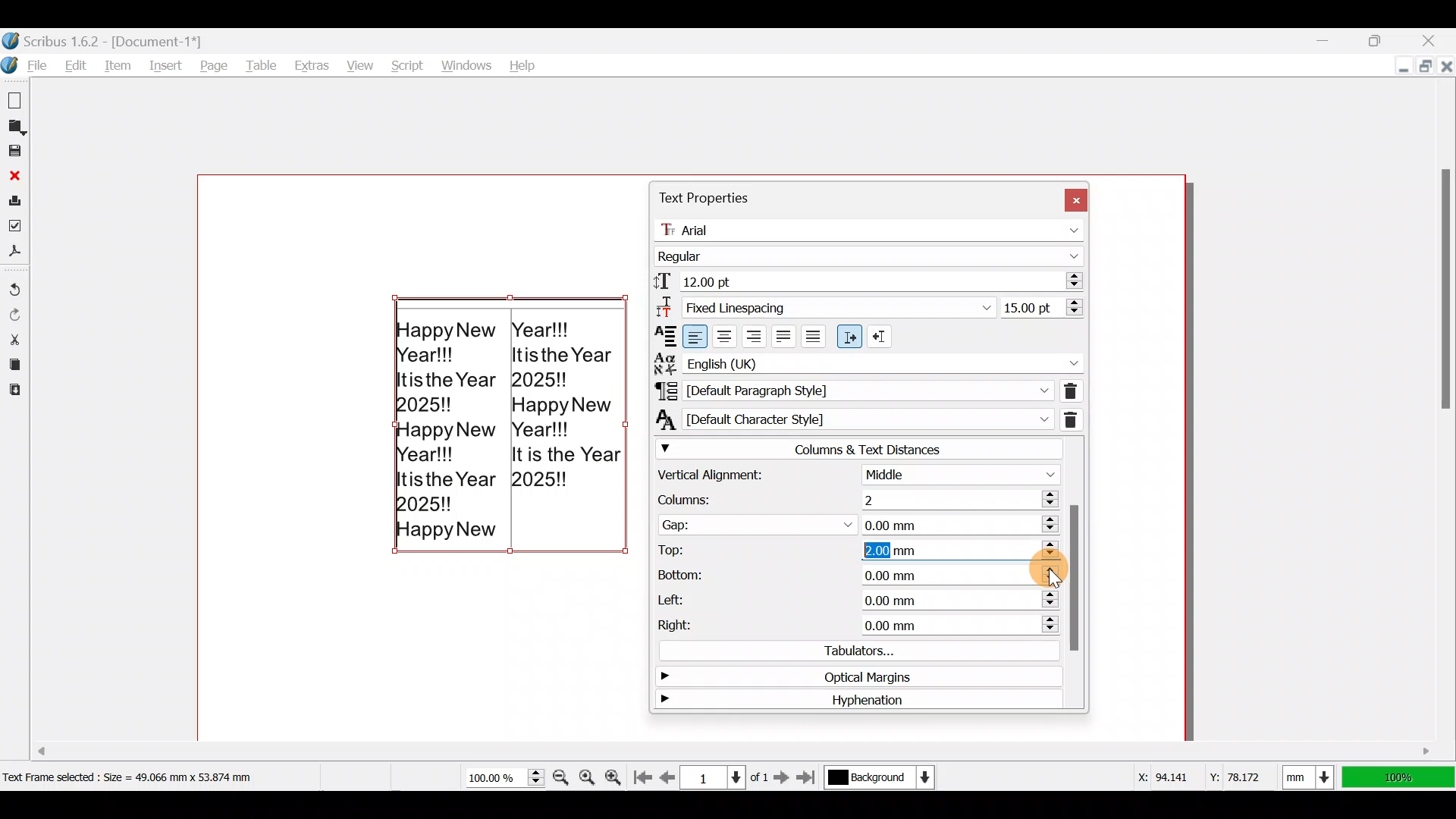 The image size is (1456, 819). Describe the element at coordinates (613, 746) in the screenshot. I see `Scroll bar` at that location.